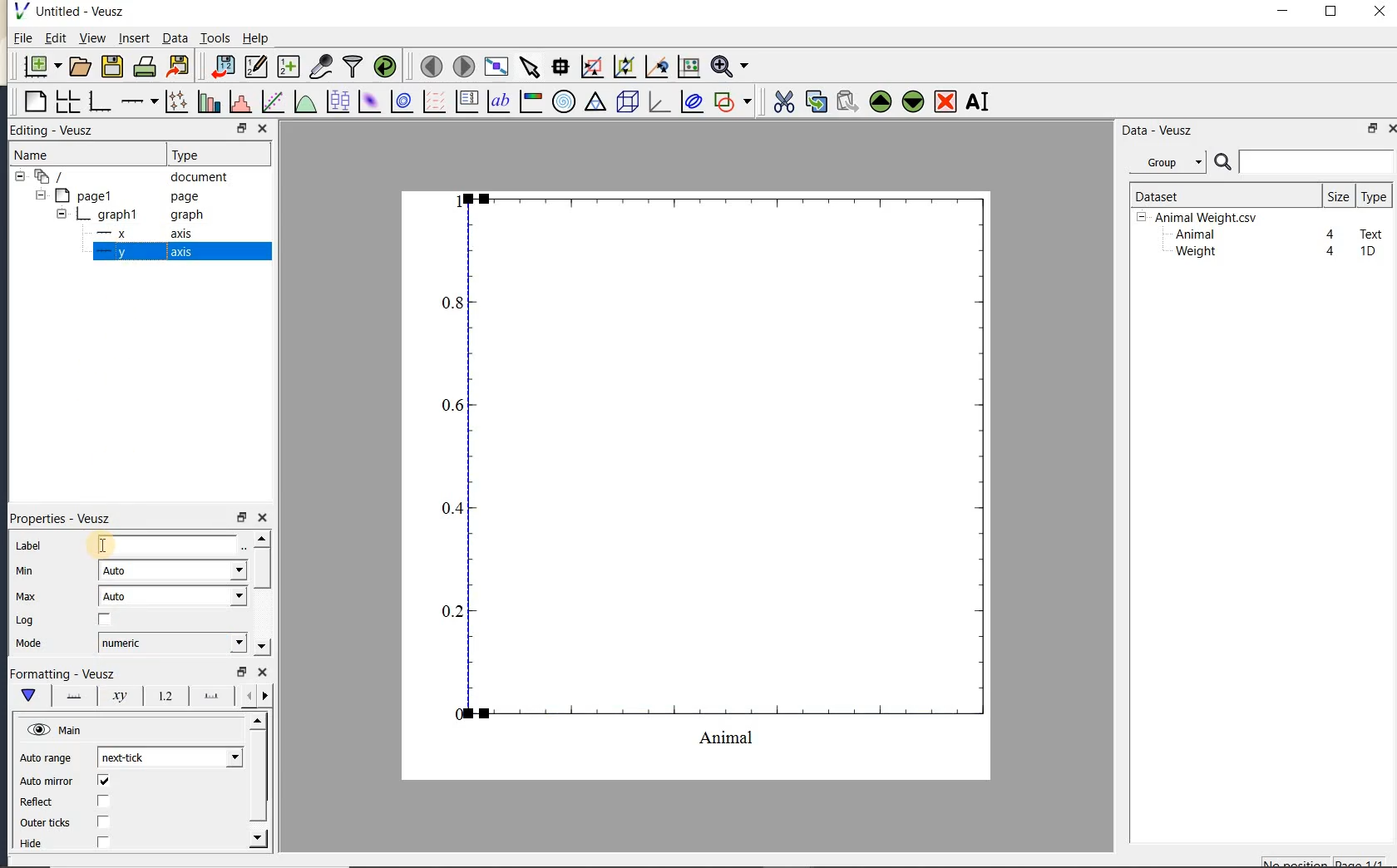 This screenshot has width=1397, height=868. Describe the element at coordinates (44, 782) in the screenshot. I see `Auto mirror` at that location.